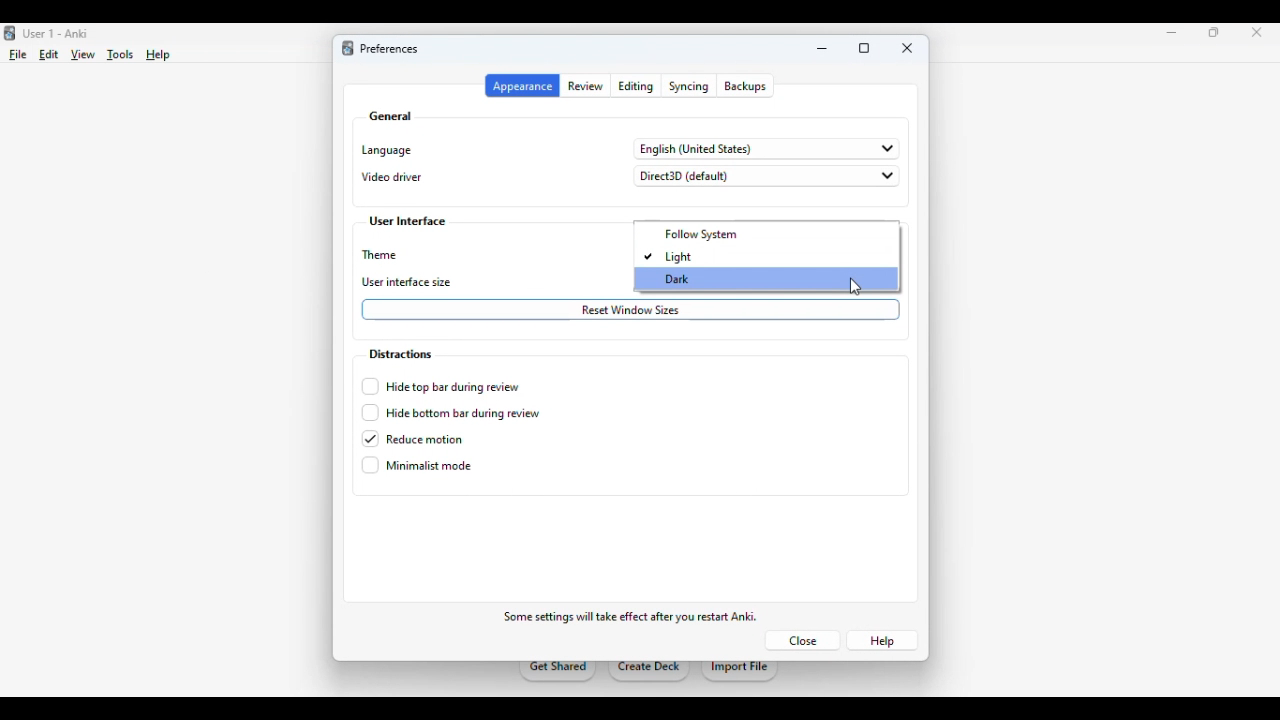  What do you see at coordinates (347, 48) in the screenshot?
I see `logo` at bounding box center [347, 48].